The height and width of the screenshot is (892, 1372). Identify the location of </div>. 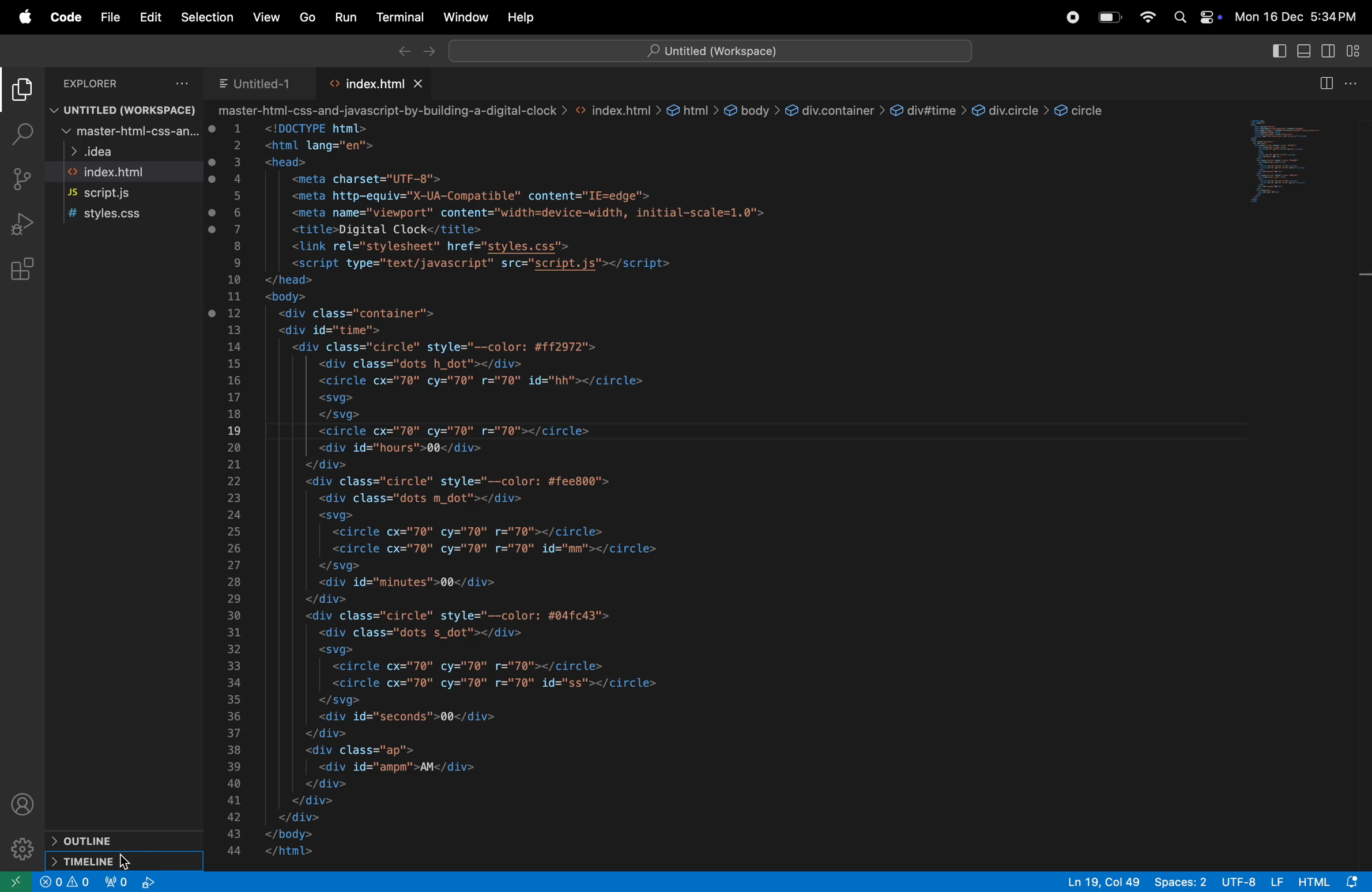
(328, 733).